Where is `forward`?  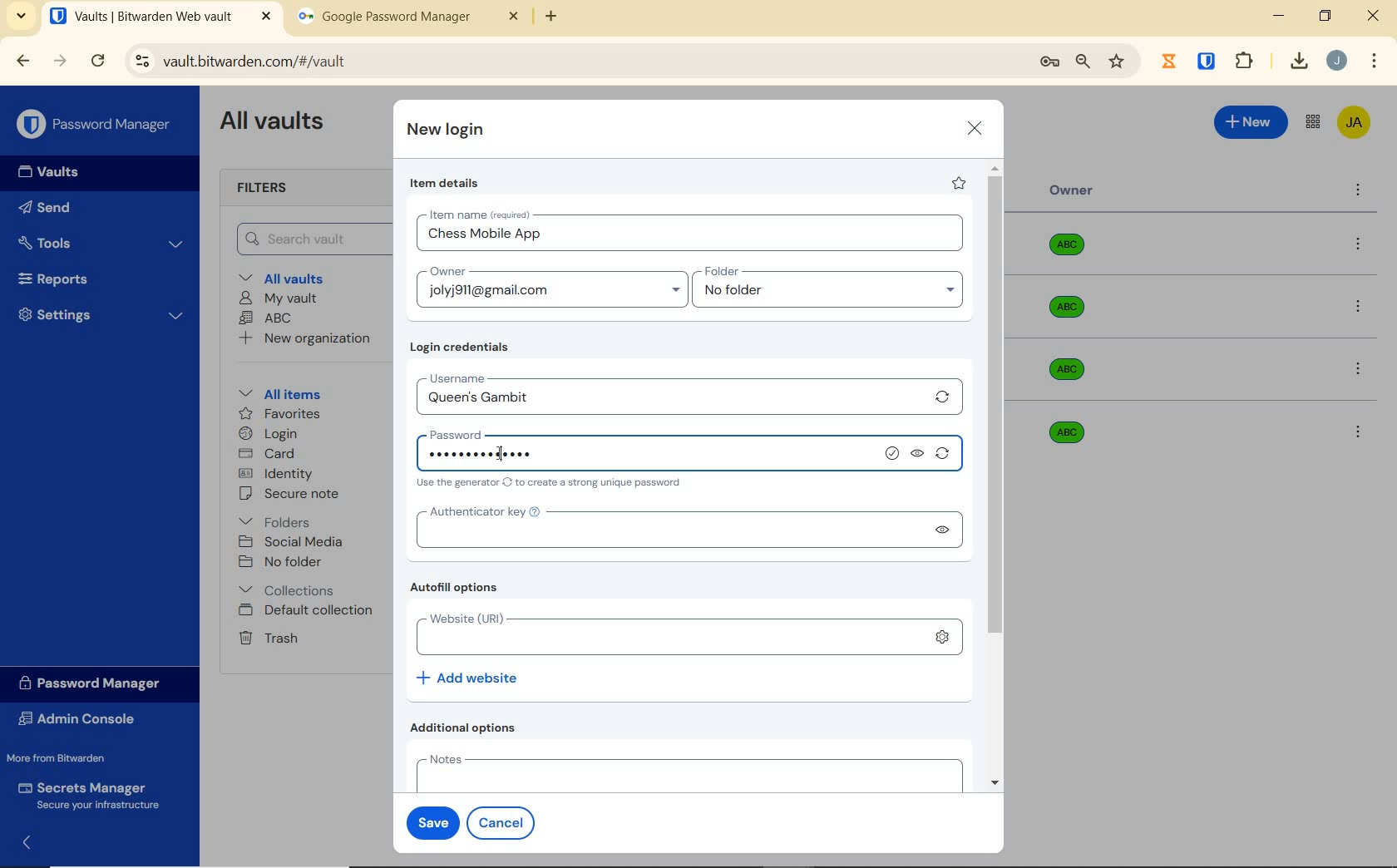 forward is located at coordinates (61, 61).